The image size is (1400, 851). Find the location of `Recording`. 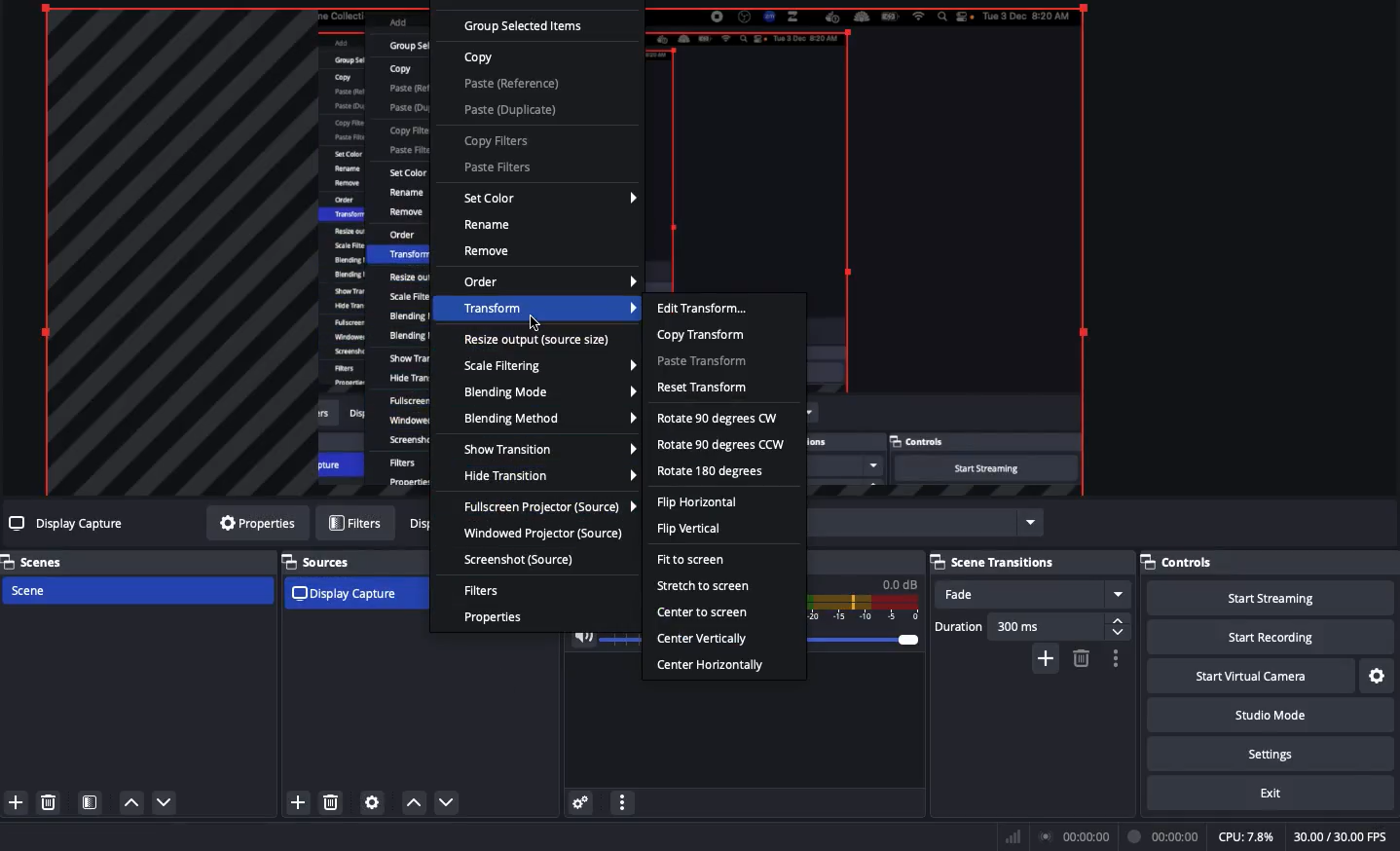

Recording is located at coordinates (1164, 834).